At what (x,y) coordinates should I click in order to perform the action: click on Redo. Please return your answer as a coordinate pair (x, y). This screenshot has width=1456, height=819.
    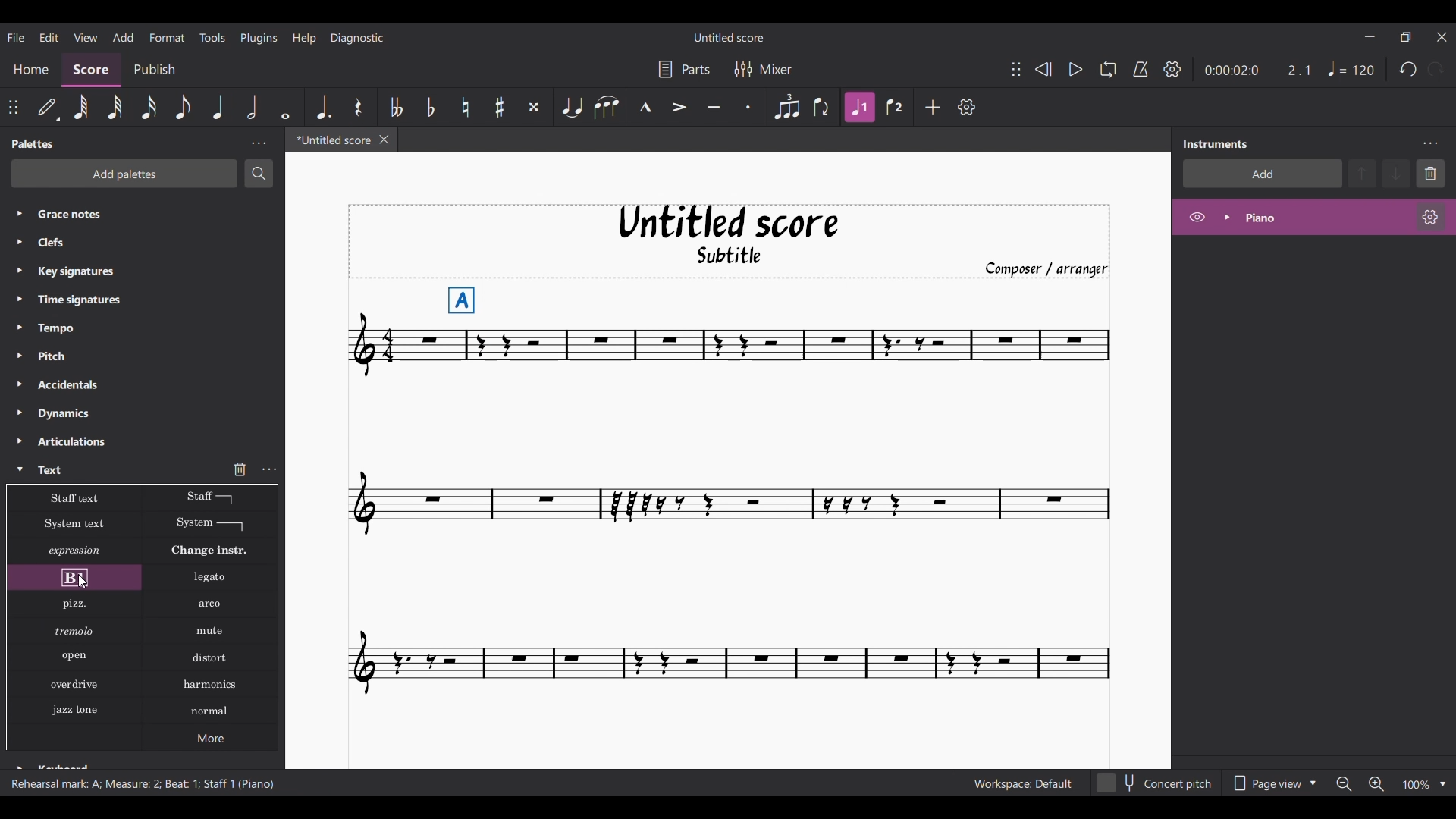
    Looking at the image, I should click on (1437, 69).